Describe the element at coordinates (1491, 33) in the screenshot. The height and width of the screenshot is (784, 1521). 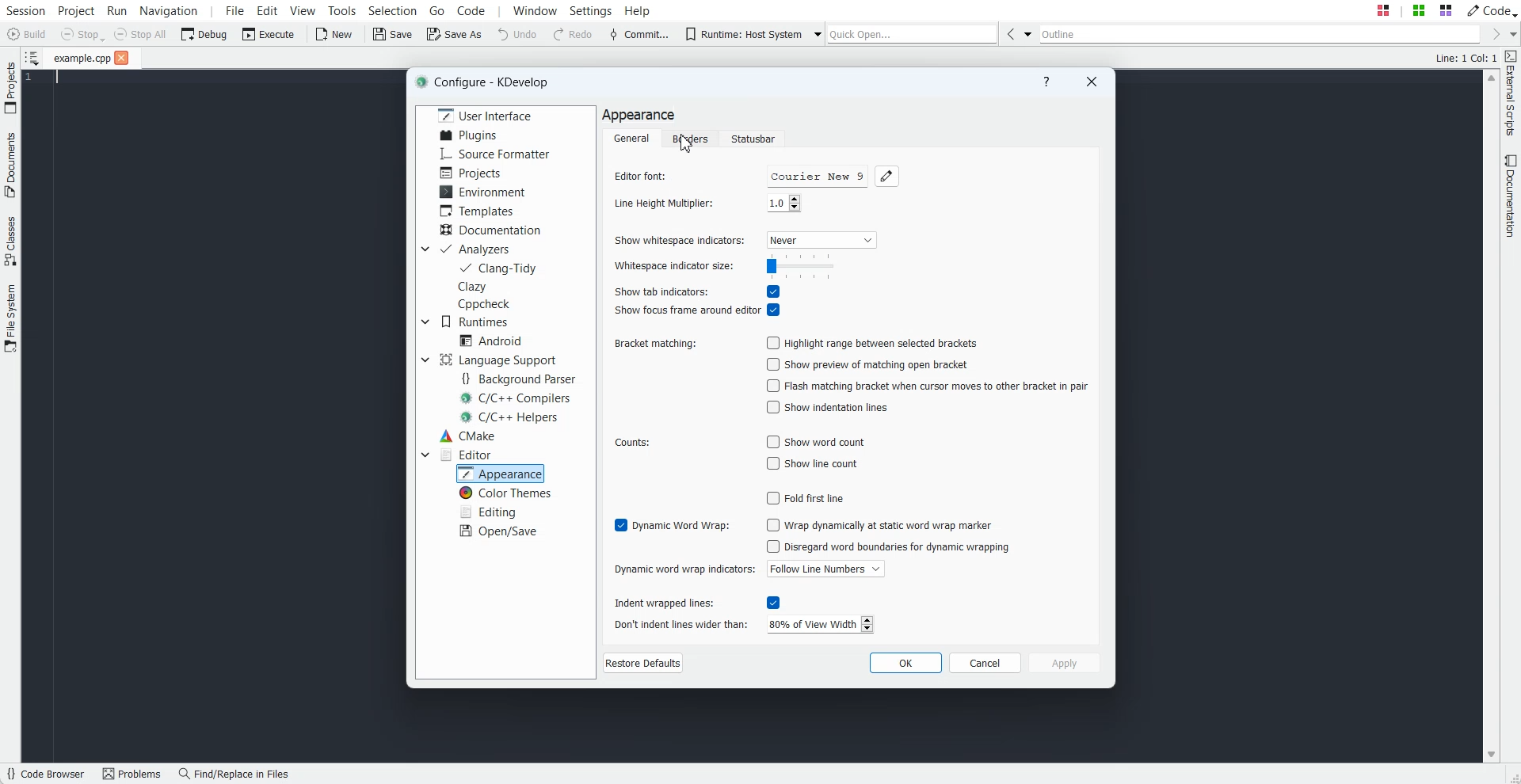
I see `Go Forward` at that location.